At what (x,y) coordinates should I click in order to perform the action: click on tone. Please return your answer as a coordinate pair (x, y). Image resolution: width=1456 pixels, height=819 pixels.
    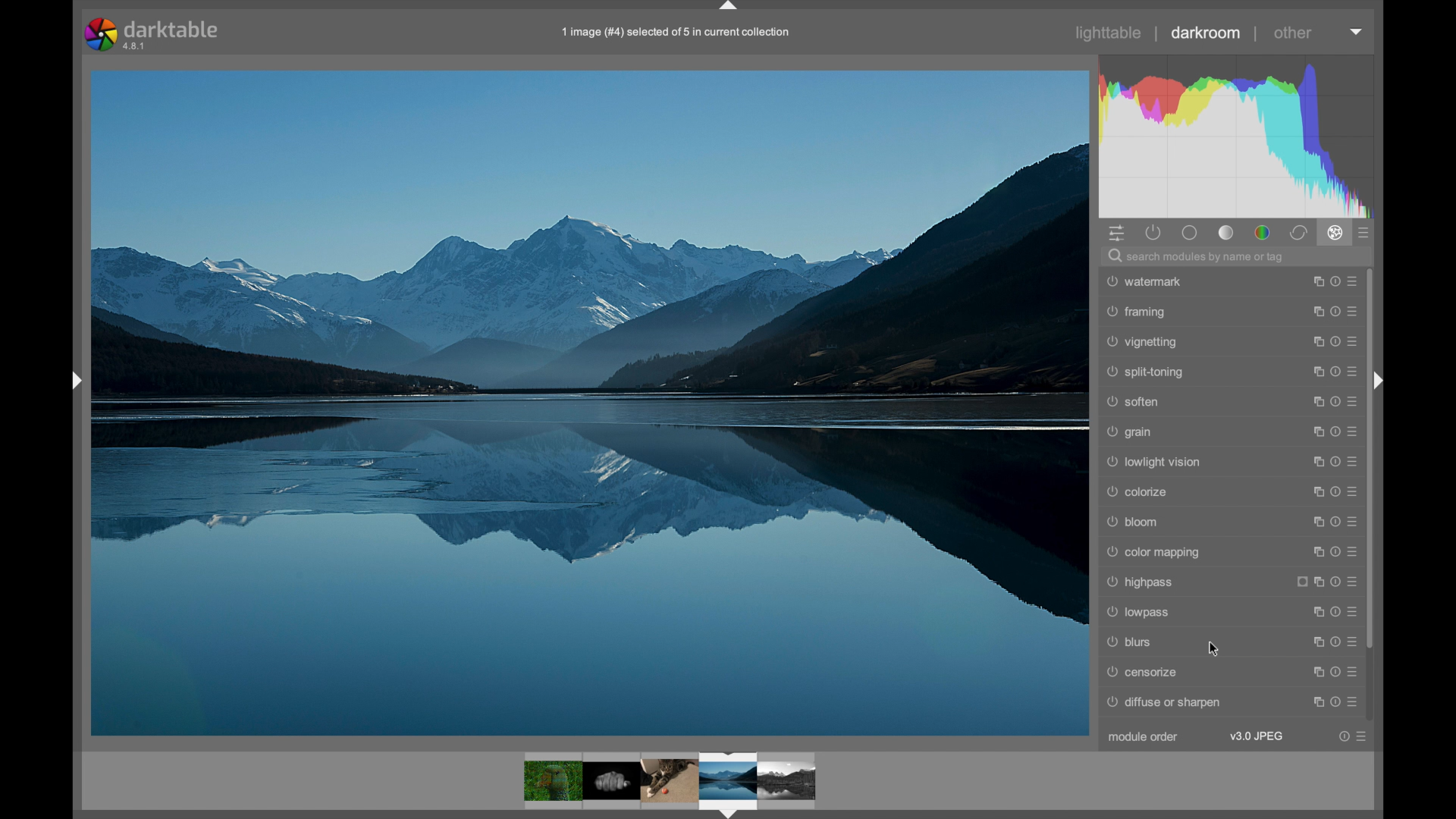
    Looking at the image, I should click on (1225, 232).